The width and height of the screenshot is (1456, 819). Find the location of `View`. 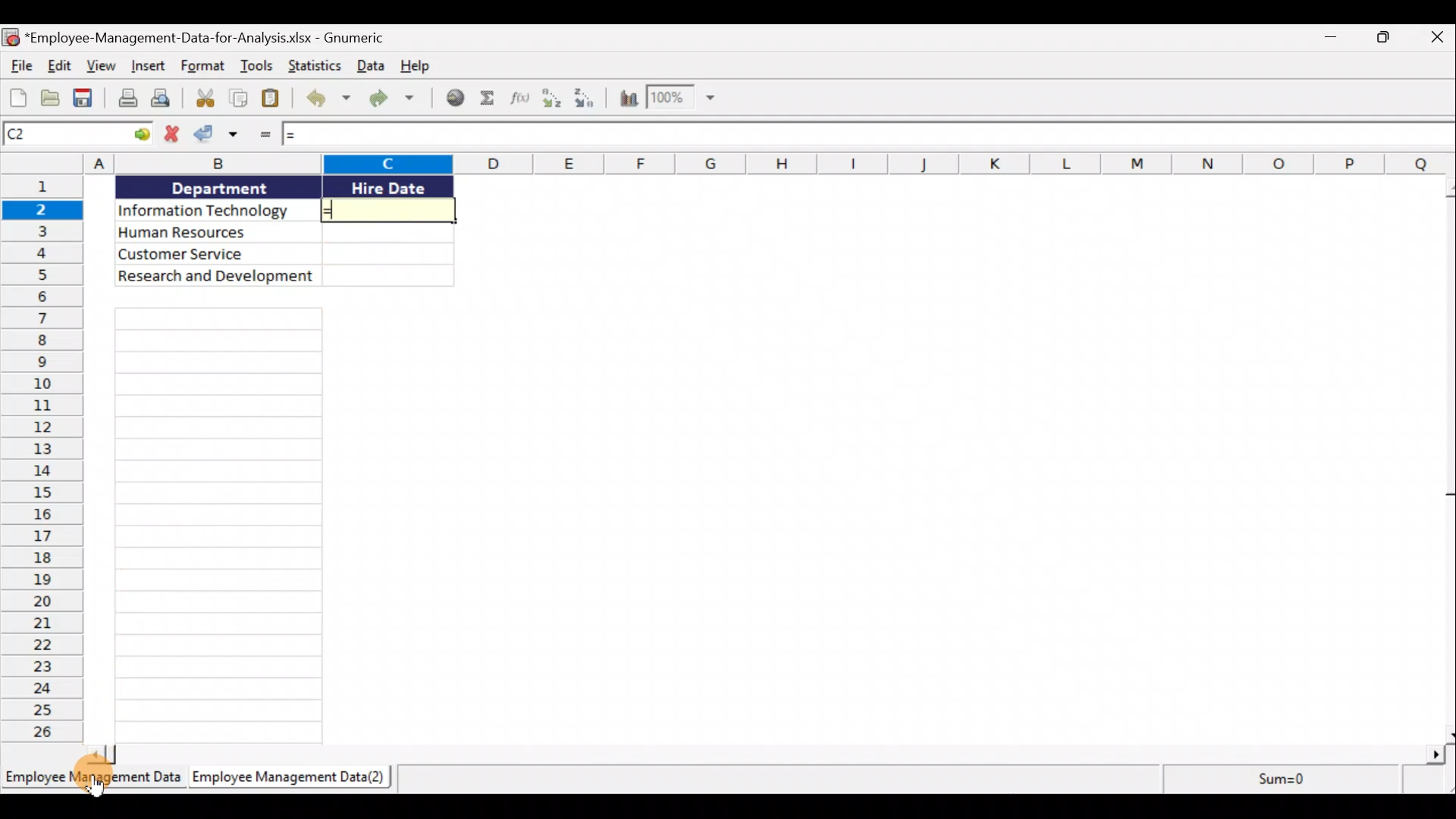

View is located at coordinates (104, 67).